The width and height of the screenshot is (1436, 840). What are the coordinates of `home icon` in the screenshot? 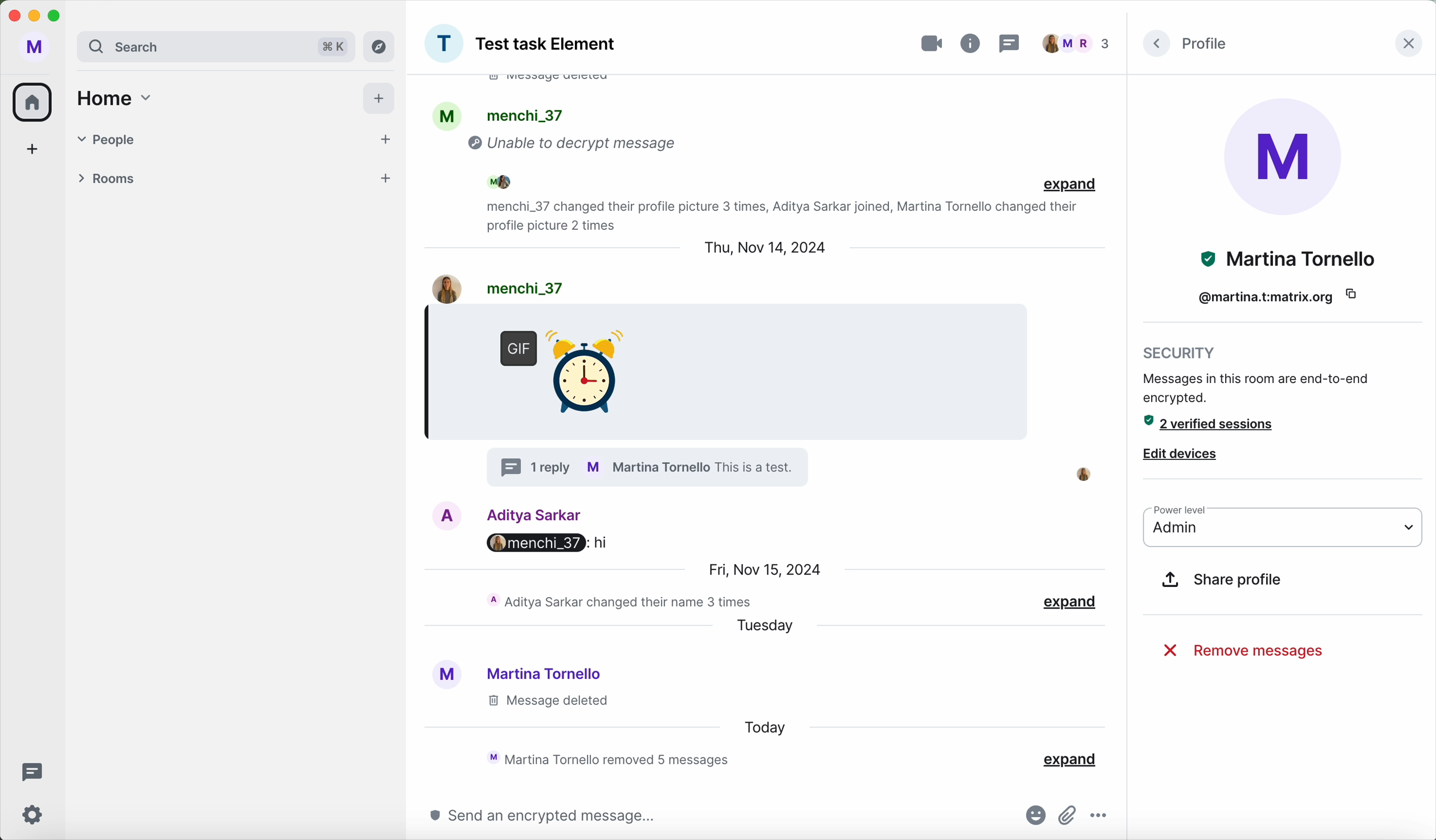 It's located at (35, 101).